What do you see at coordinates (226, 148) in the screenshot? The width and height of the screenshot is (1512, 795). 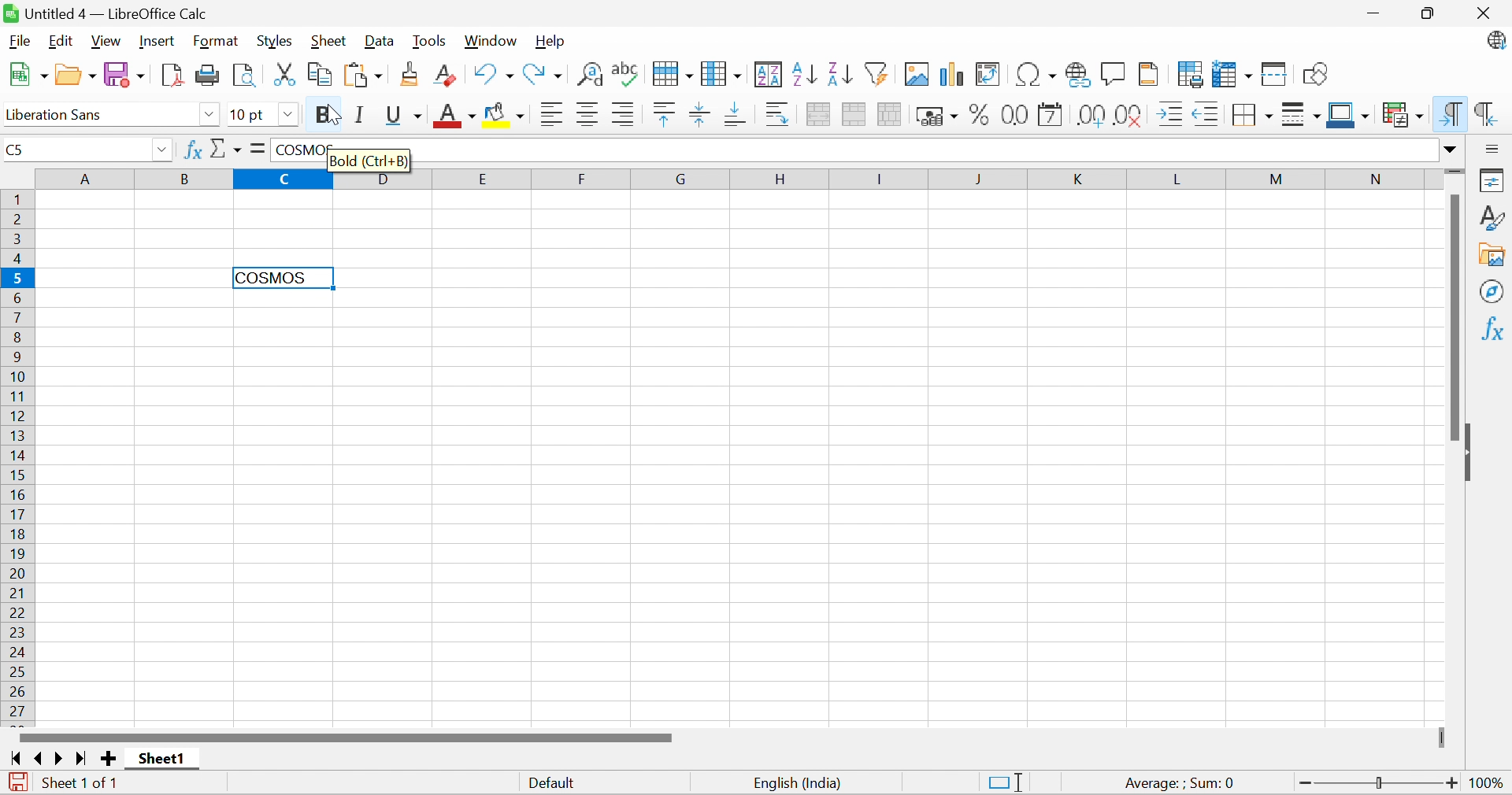 I see `Select Function` at bounding box center [226, 148].